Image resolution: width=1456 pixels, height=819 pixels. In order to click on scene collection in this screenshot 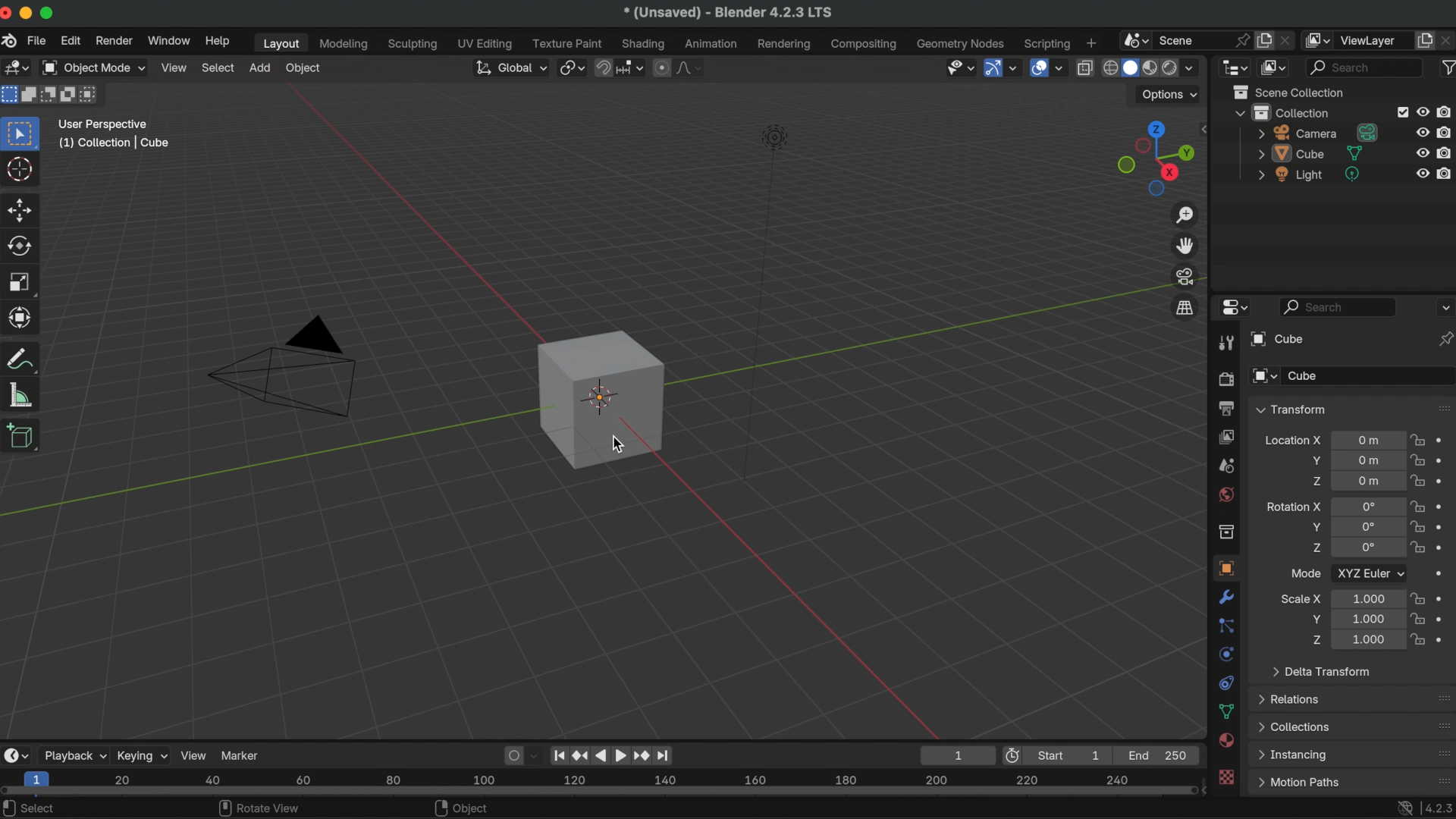, I will do `click(1293, 92)`.